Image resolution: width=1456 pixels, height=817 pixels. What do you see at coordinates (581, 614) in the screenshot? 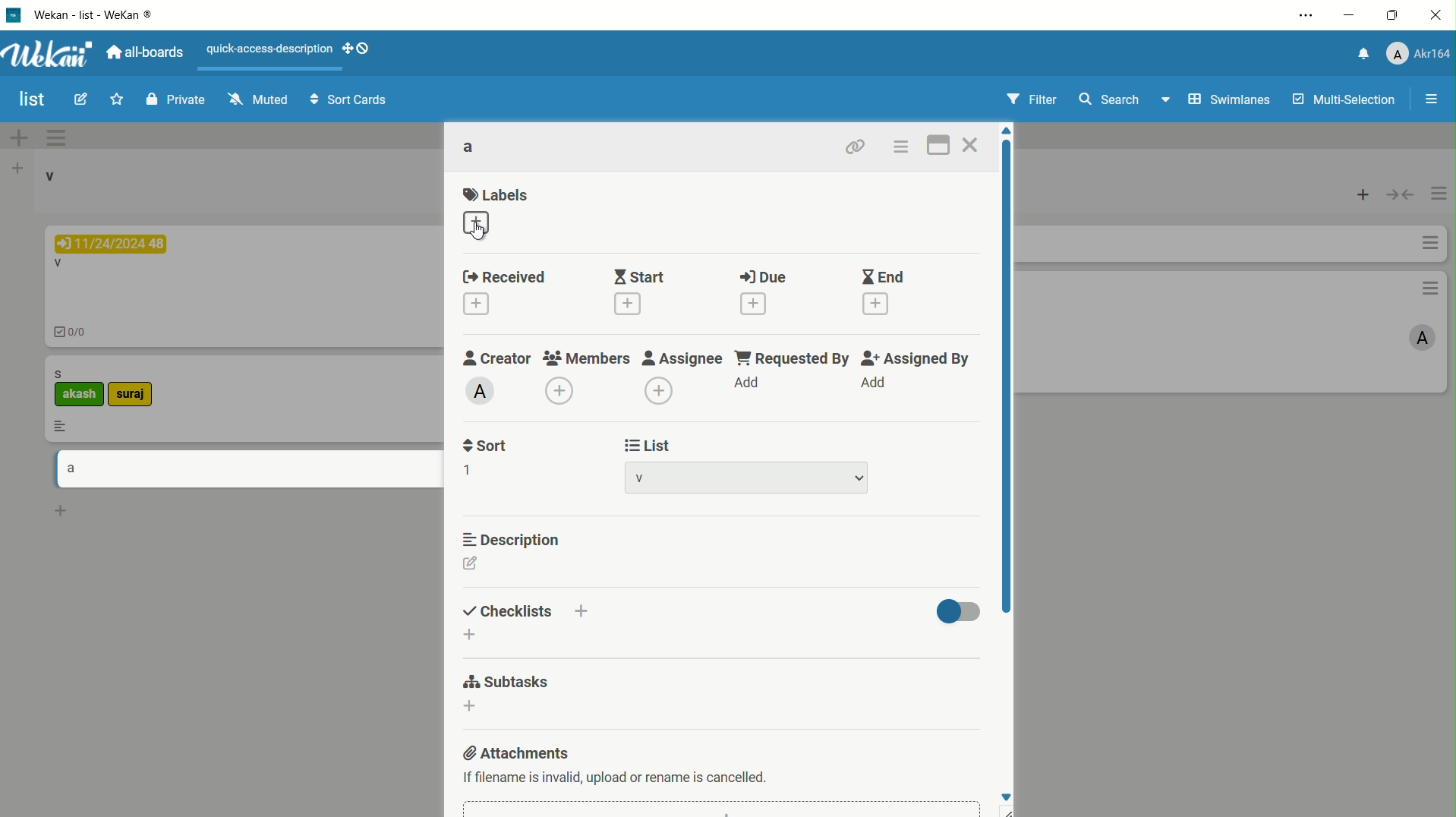
I see `add checklist` at bounding box center [581, 614].